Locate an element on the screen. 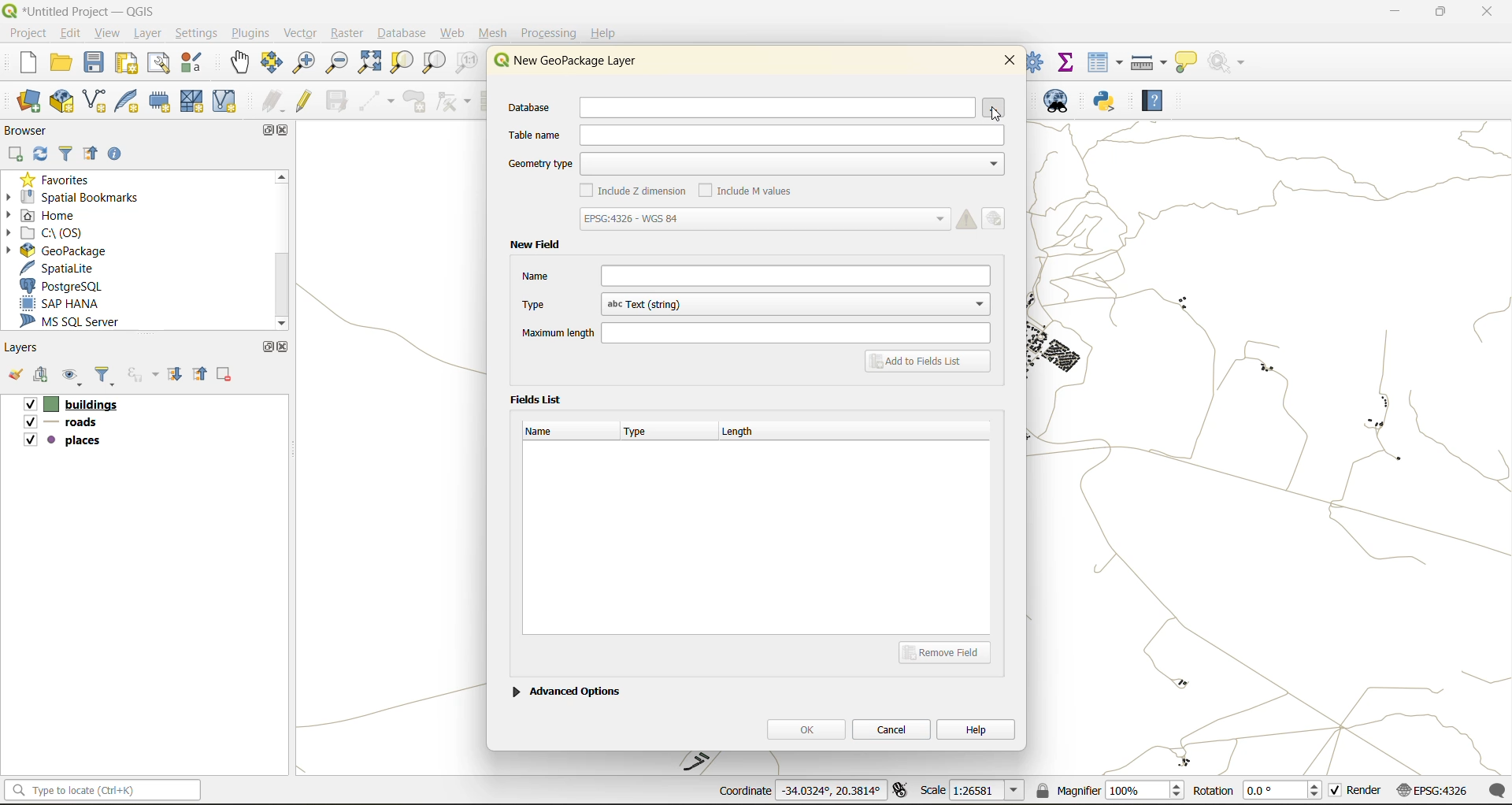 The image size is (1512, 805). cancel is located at coordinates (893, 728).